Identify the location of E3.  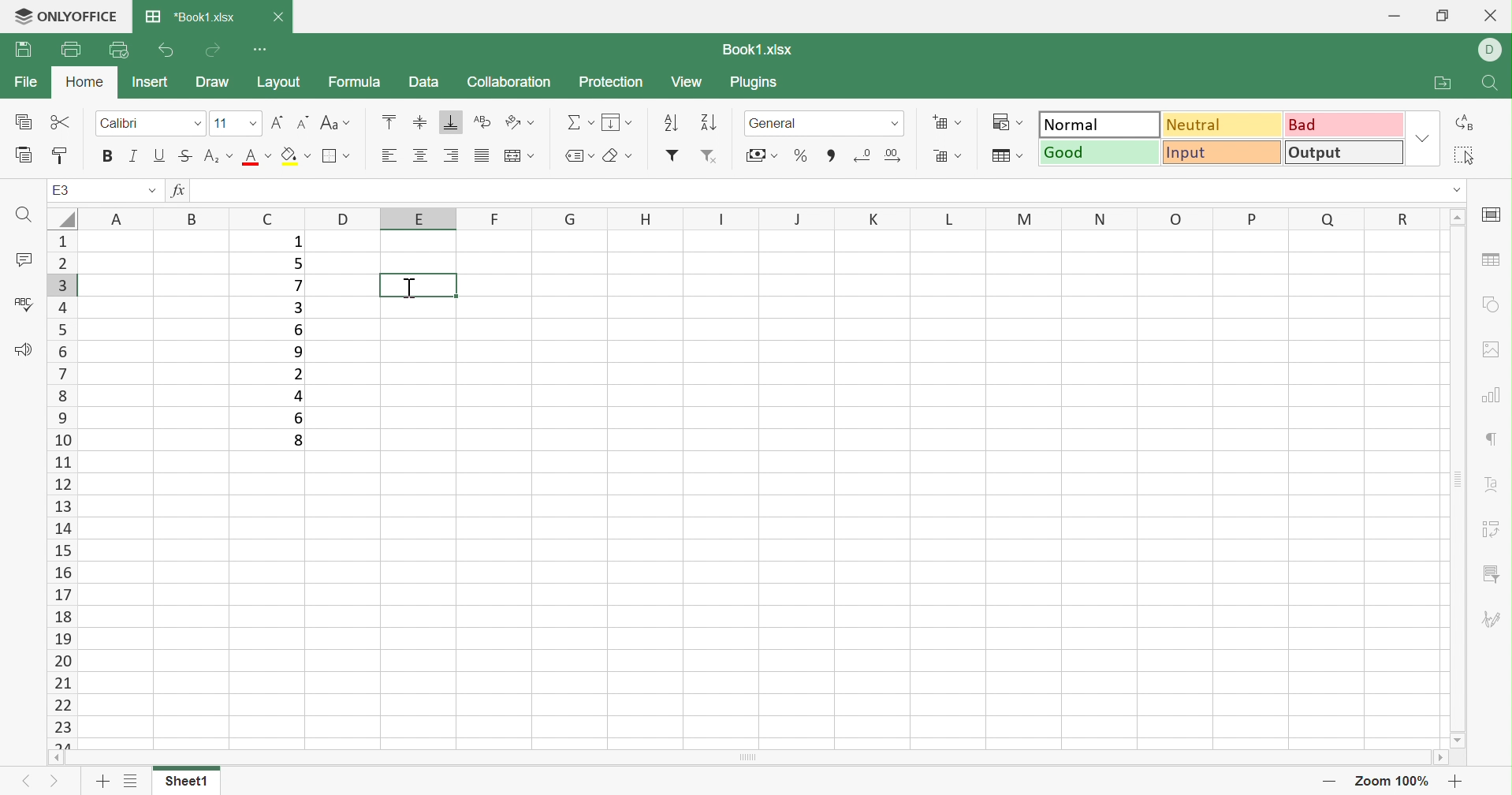
(60, 191).